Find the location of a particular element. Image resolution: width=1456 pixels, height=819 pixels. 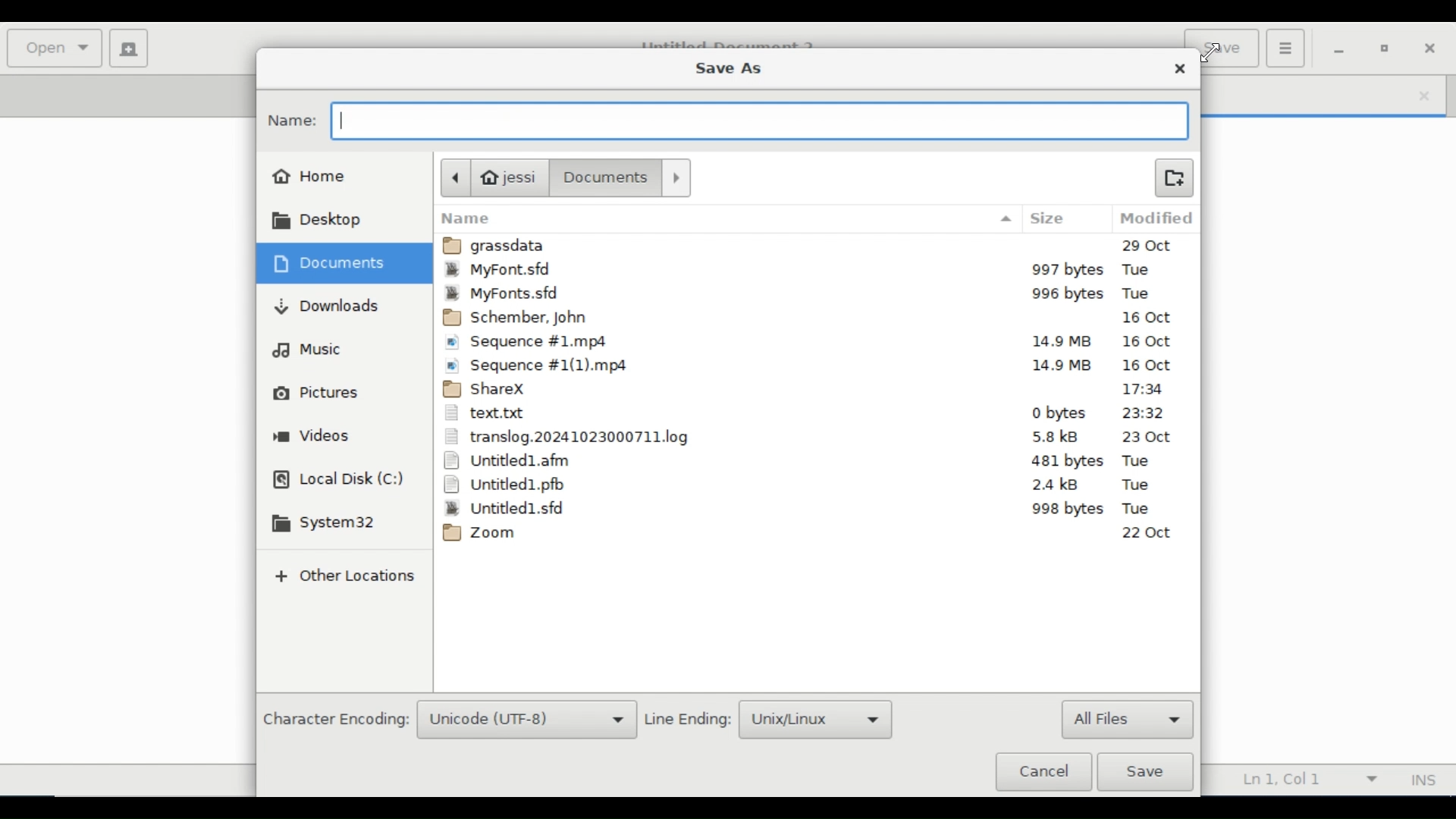

Name Field is located at coordinates (758, 120).